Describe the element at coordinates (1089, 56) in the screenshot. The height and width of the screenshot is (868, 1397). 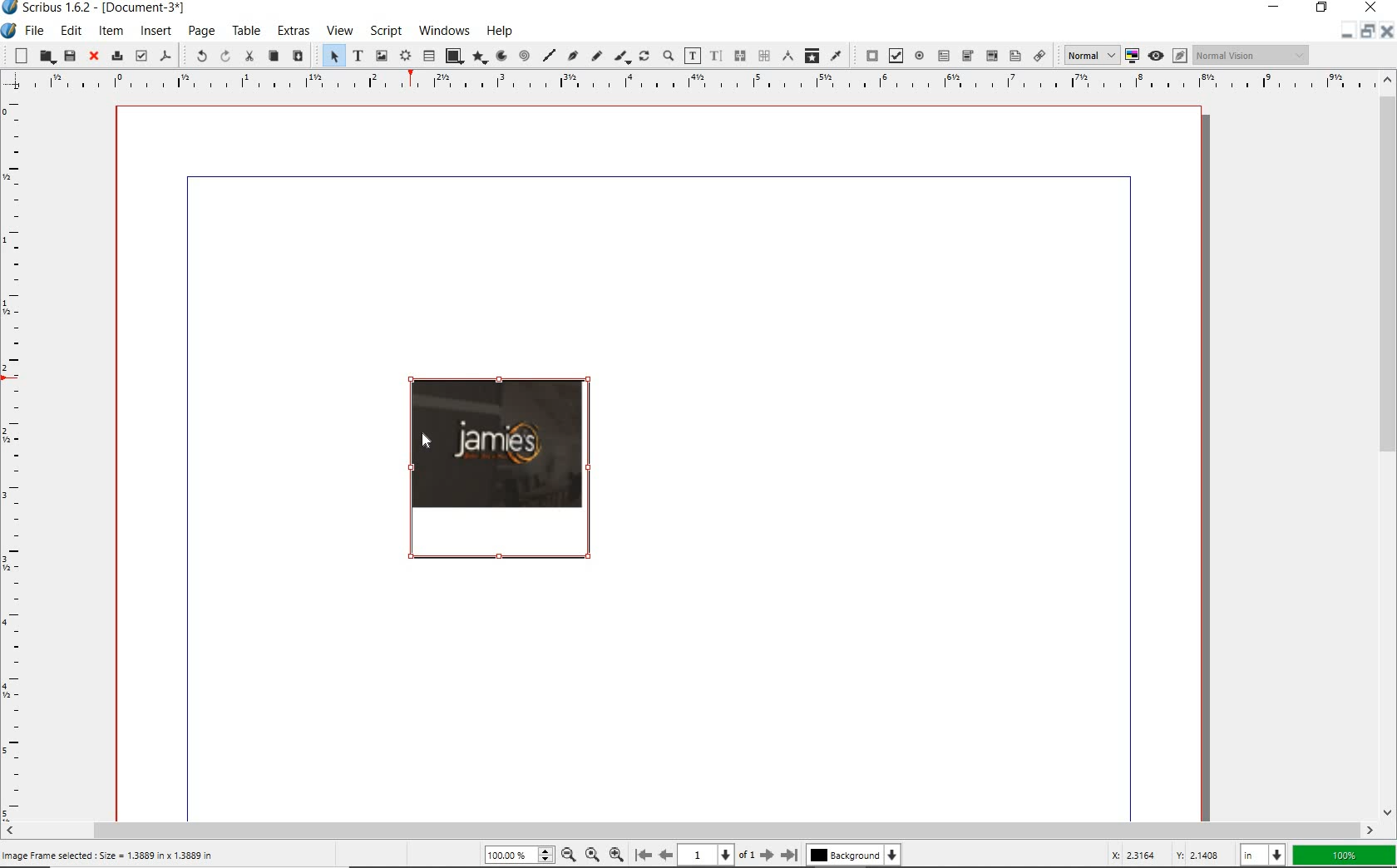
I see `select image preview quality` at that location.